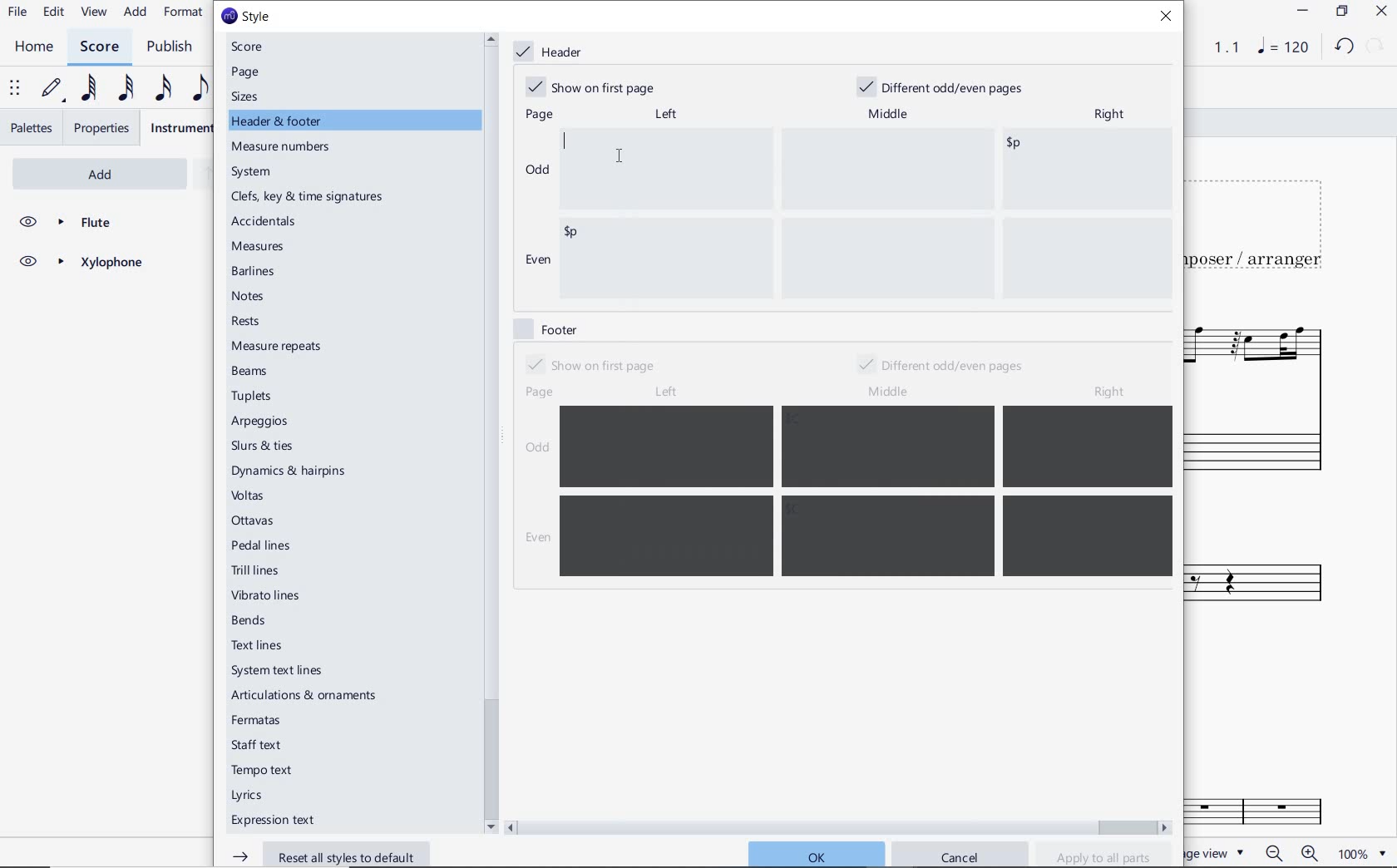 This screenshot has height=868, width=1397. Describe the element at coordinates (489, 432) in the screenshot. I see `scrollbar` at that location.